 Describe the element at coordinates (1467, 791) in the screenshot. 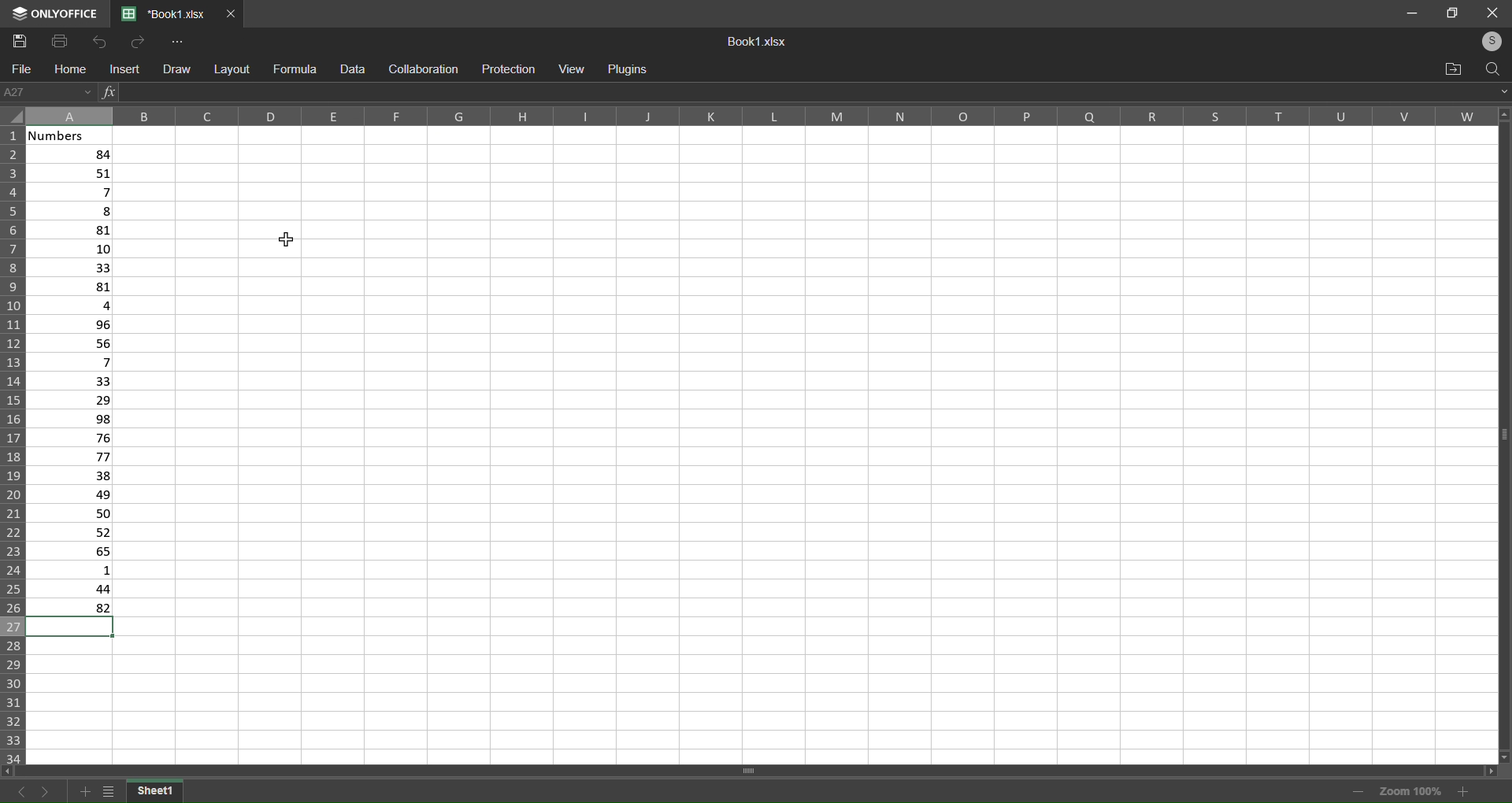

I see `zoom in` at that location.